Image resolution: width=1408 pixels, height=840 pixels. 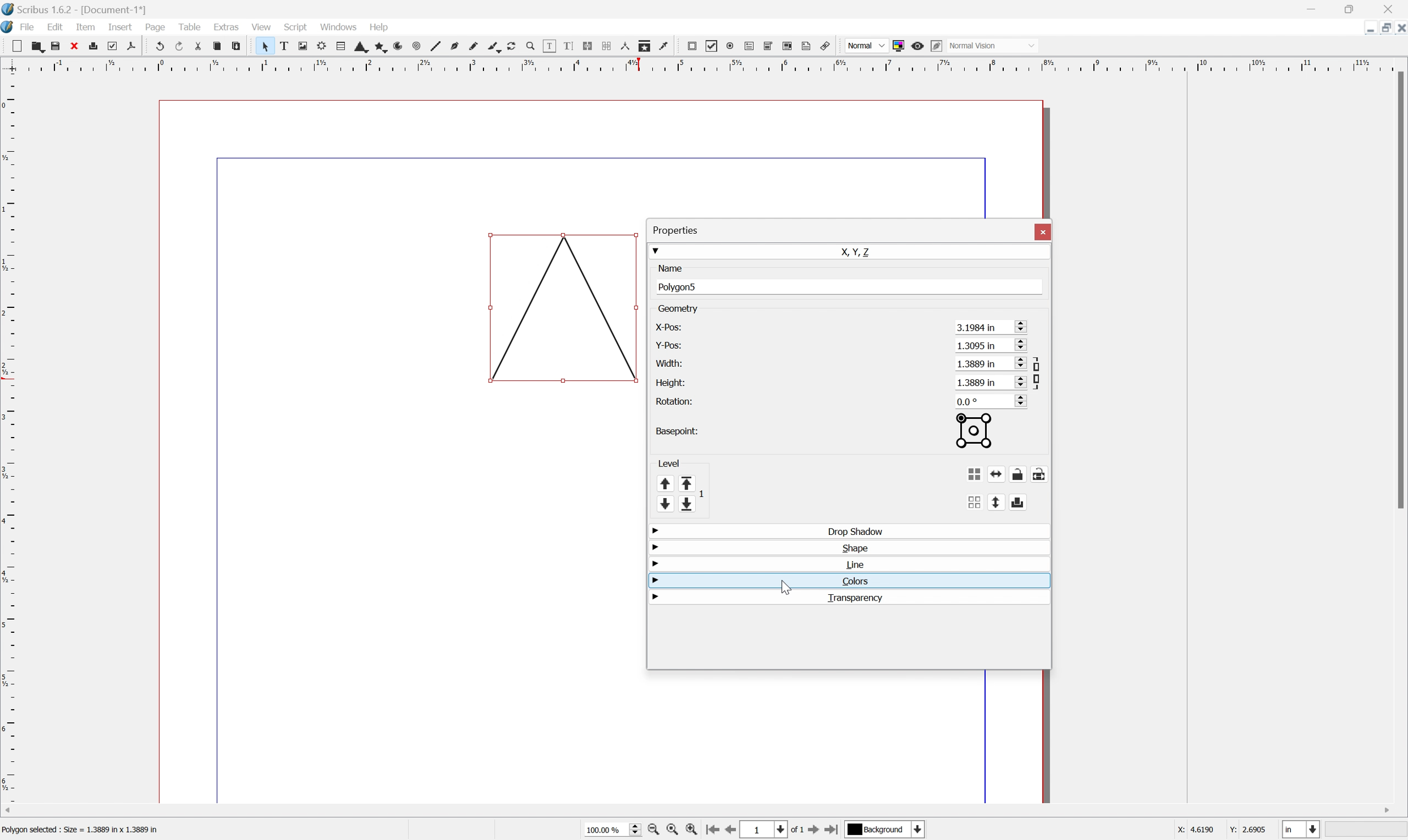 What do you see at coordinates (807, 46) in the screenshot?
I see `Text annotation` at bounding box center [807, 46].